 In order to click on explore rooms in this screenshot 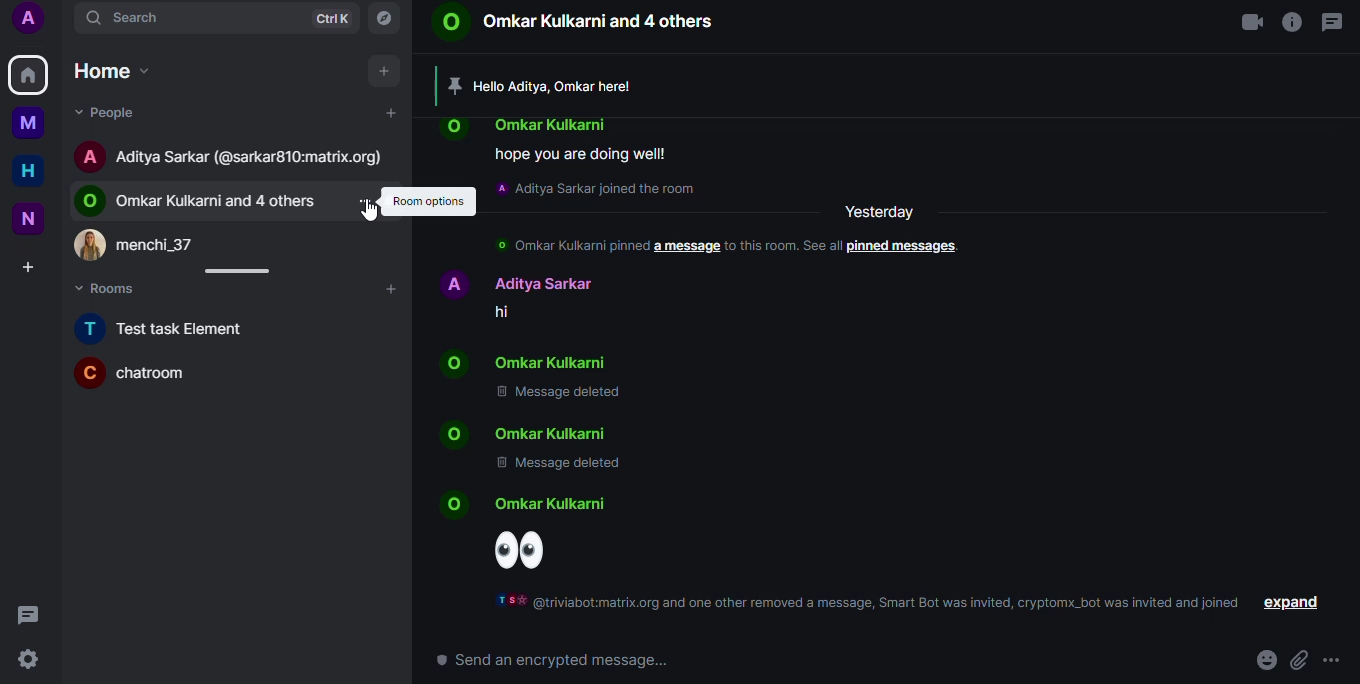, I will do `click(384, 19)`.